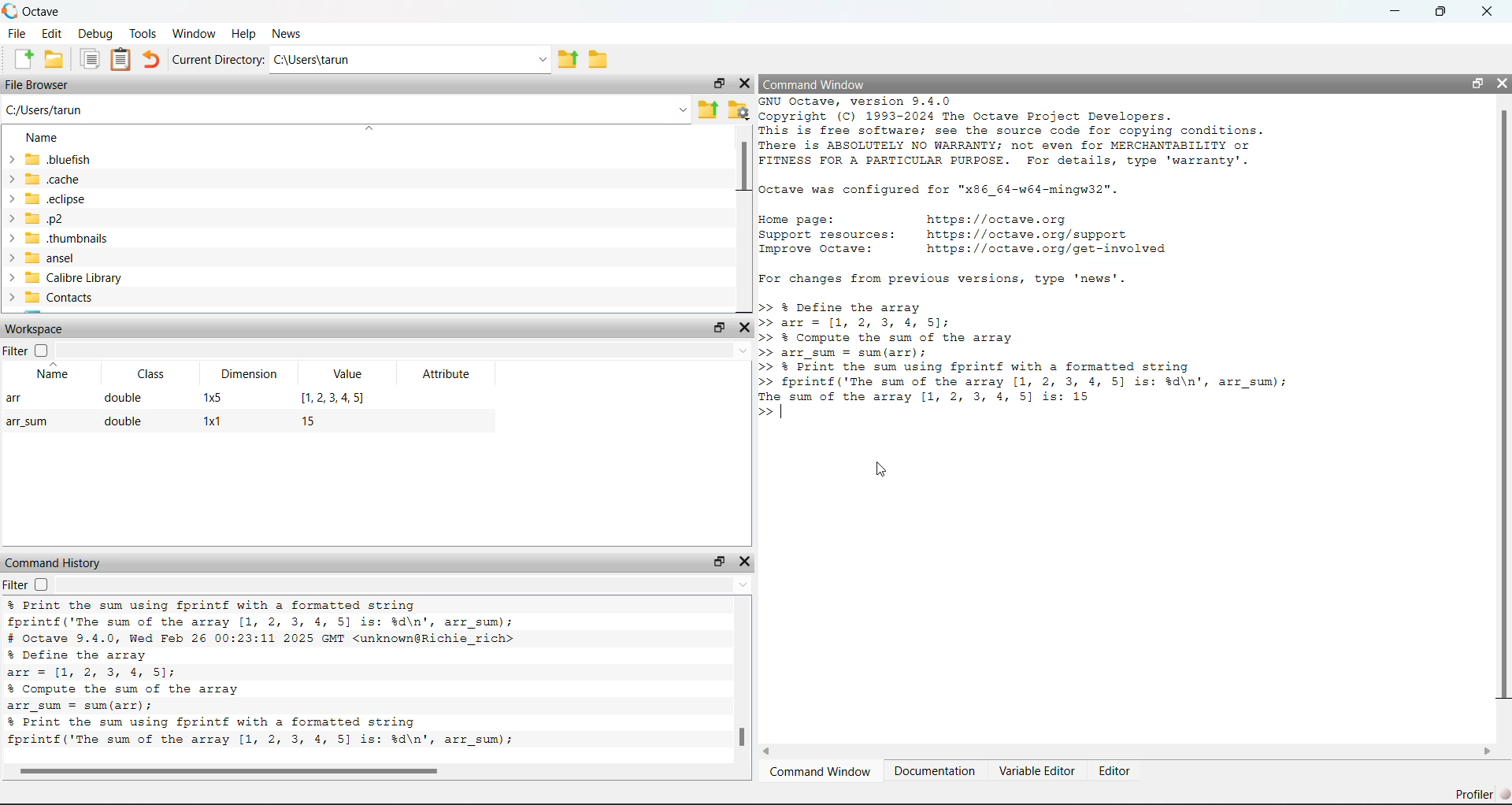 This screenshot has width=1512, height=805. I want to click on Close, so click(744, 84).